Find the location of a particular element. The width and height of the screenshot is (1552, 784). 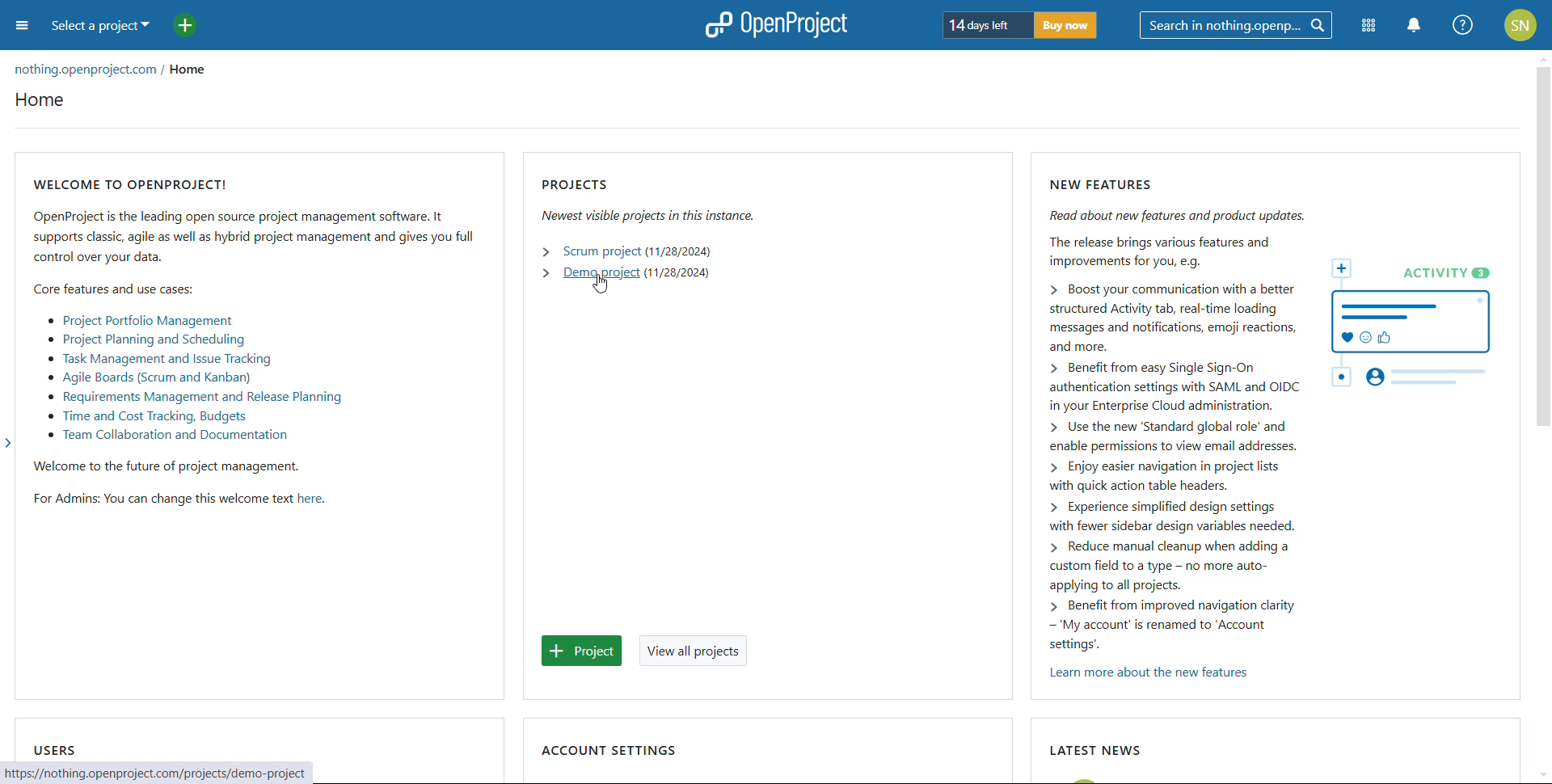

module is located at coordinates (1368, 26).